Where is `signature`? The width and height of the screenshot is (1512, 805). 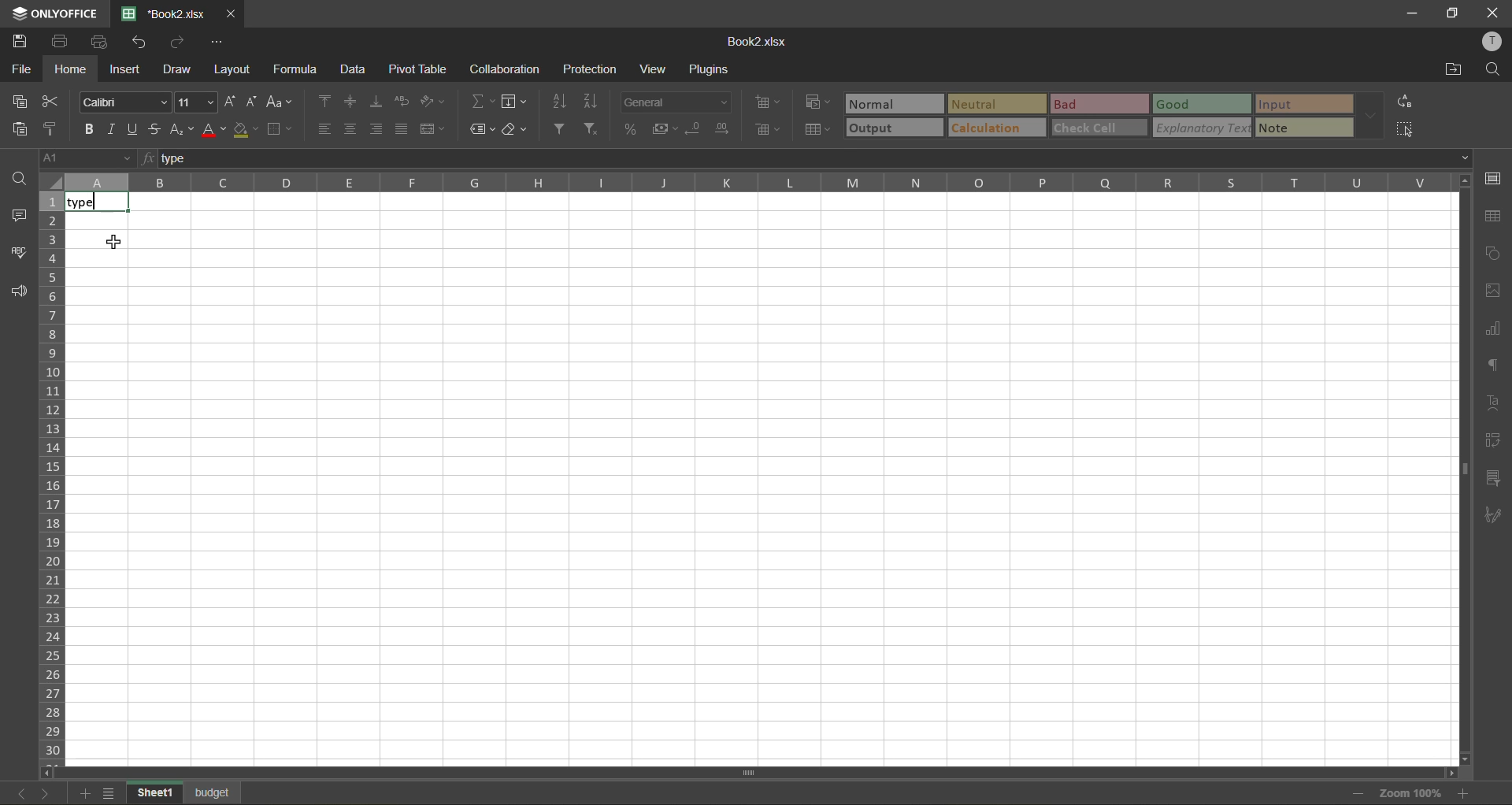
signature is located at coordinates (1494, 518).